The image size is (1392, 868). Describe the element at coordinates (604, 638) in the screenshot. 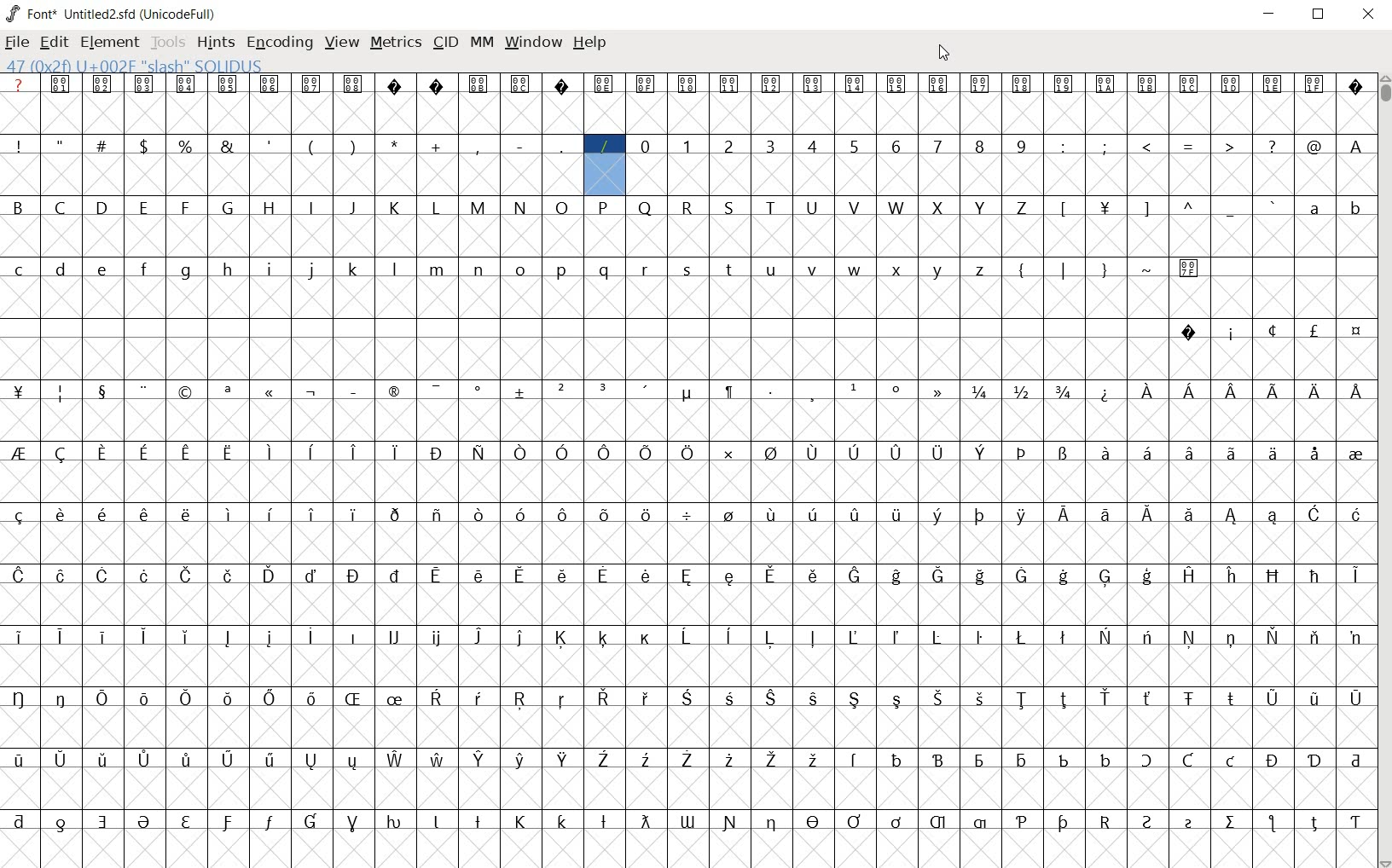

I see `glyph` at that location.